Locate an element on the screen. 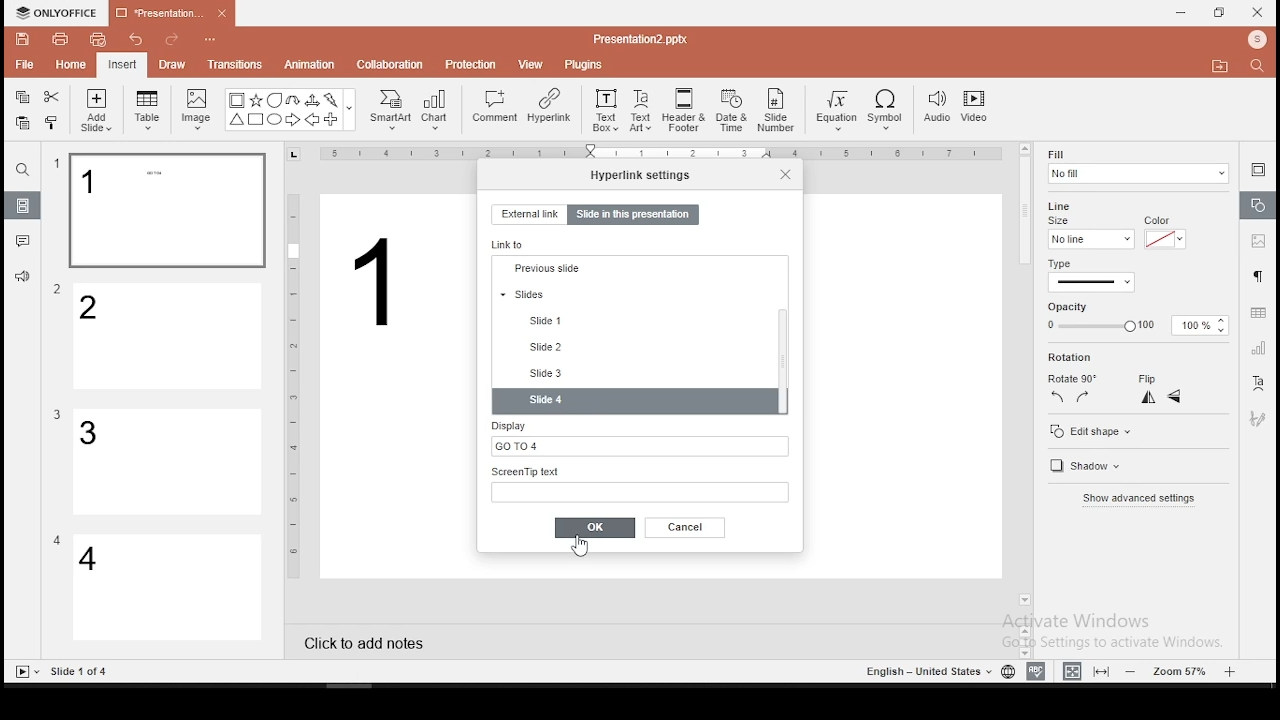 This screenshot has height=720, width=1280. slide 1 is located at coordinates (166, 211).